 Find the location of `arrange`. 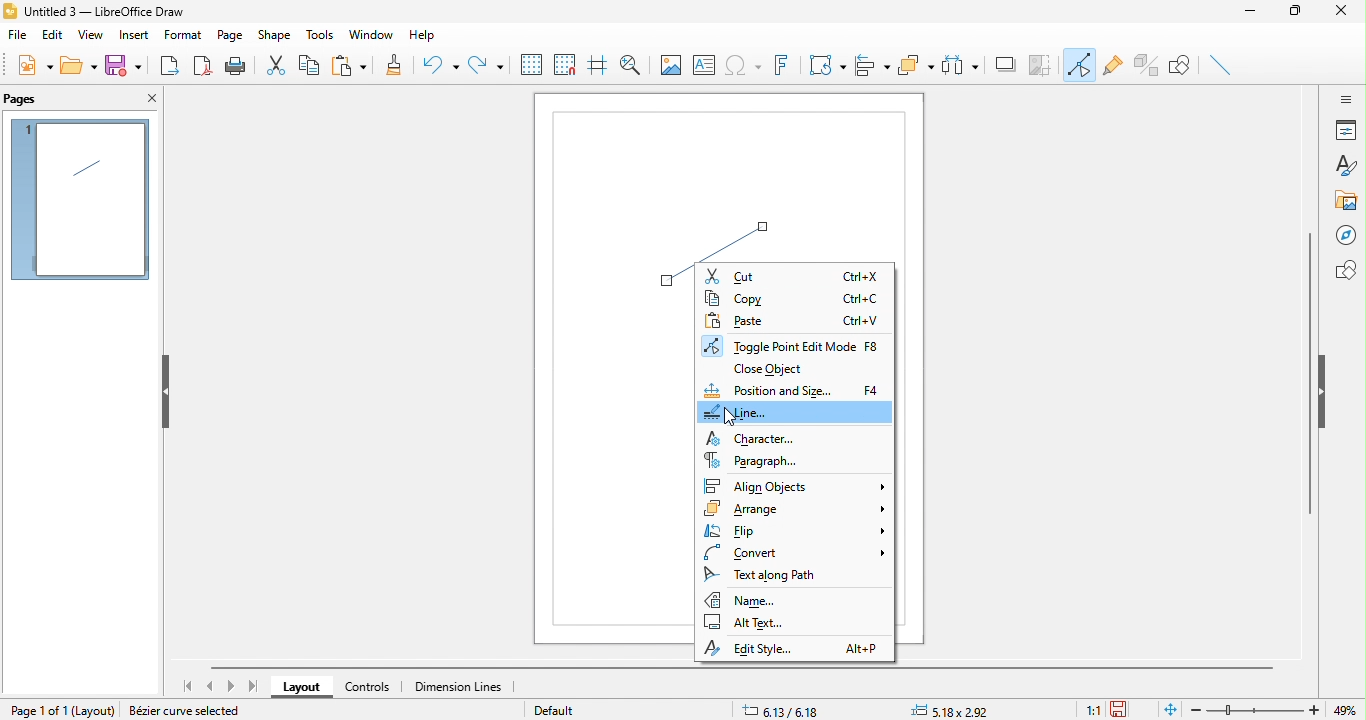

arrange is located at coordinates (916, 66).